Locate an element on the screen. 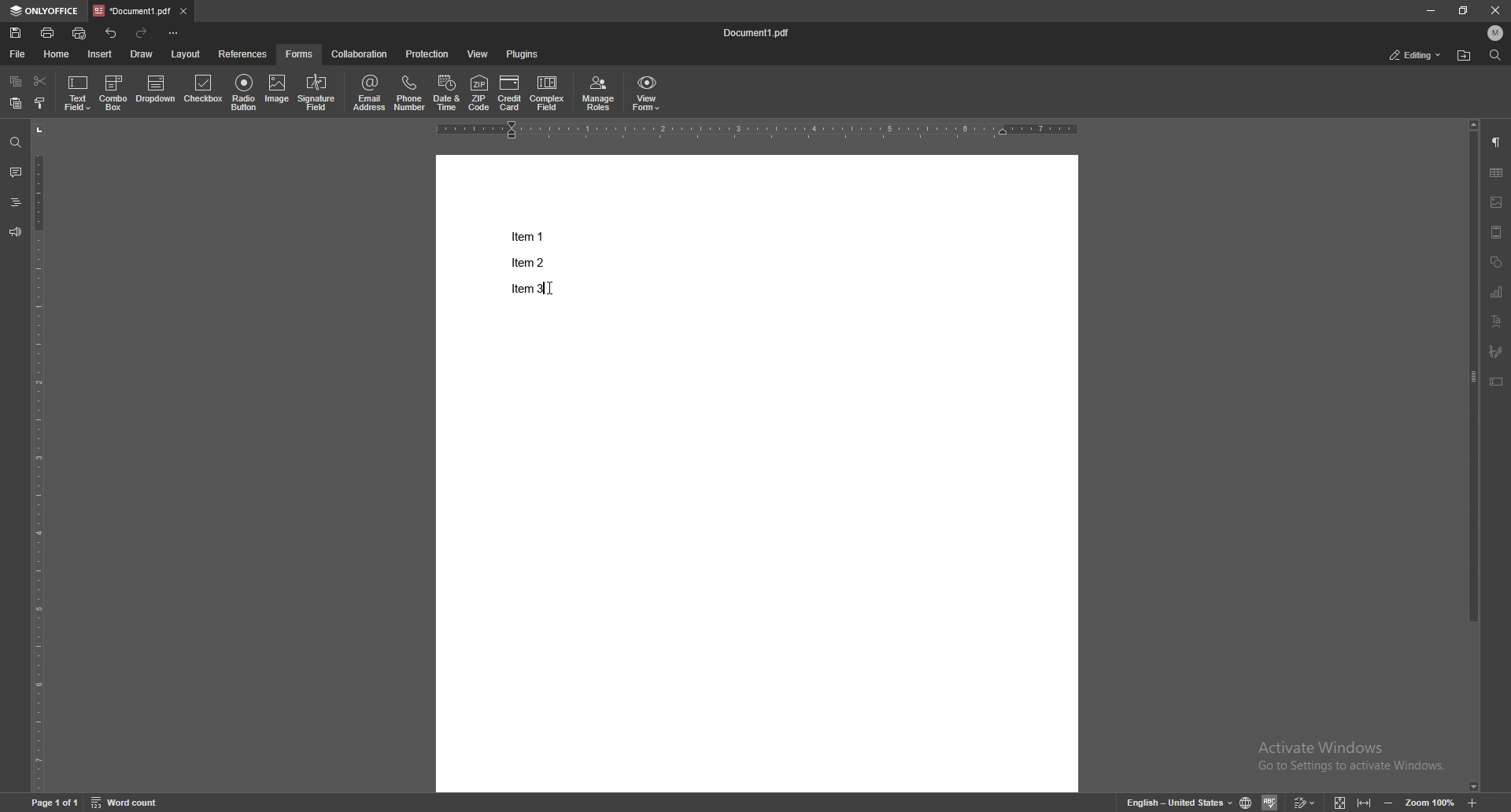 The height and width of the screenshot is (812, 1511). page is located at coordinates (54, 802).